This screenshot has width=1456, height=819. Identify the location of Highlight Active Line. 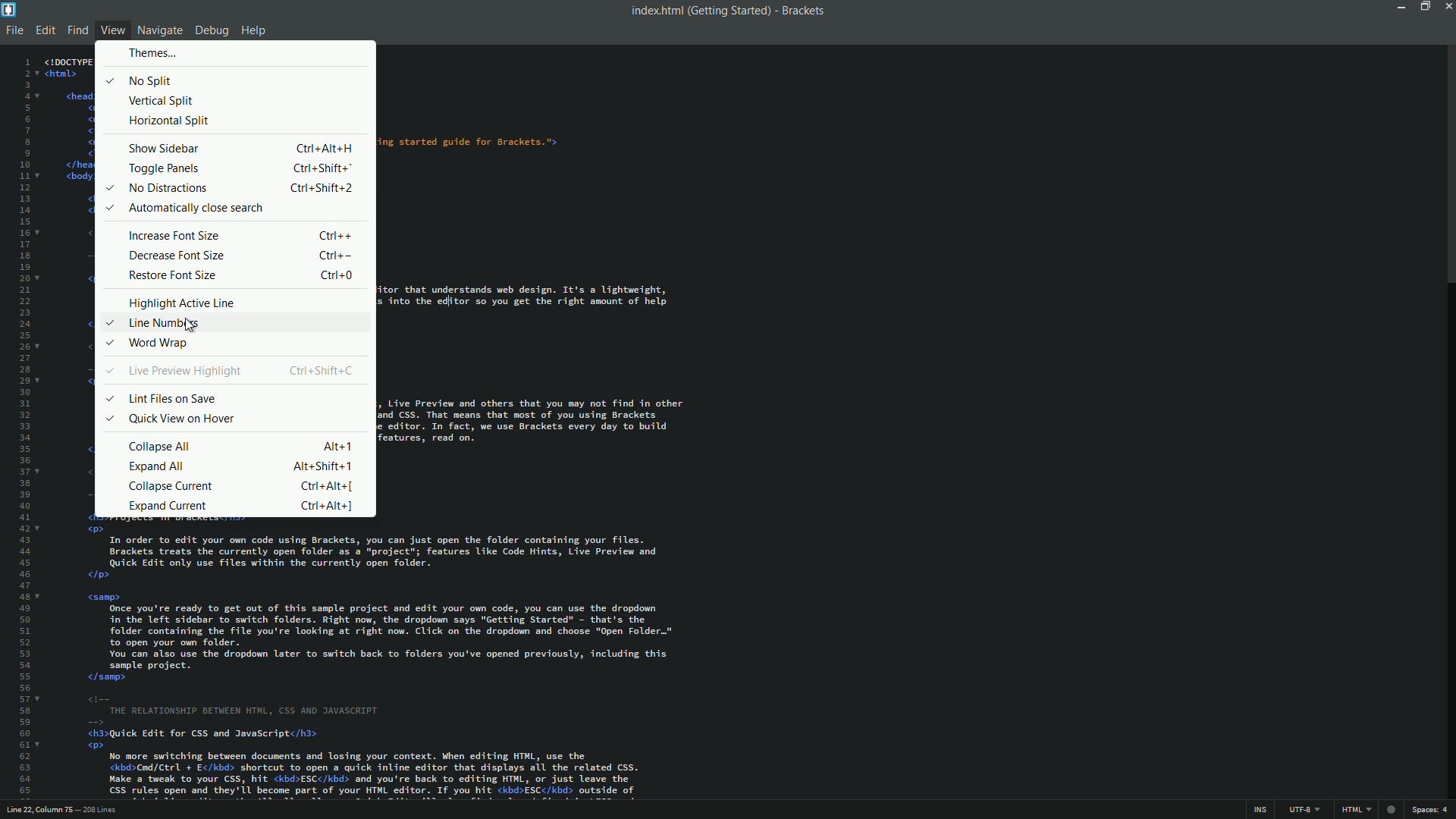
(182, 303).